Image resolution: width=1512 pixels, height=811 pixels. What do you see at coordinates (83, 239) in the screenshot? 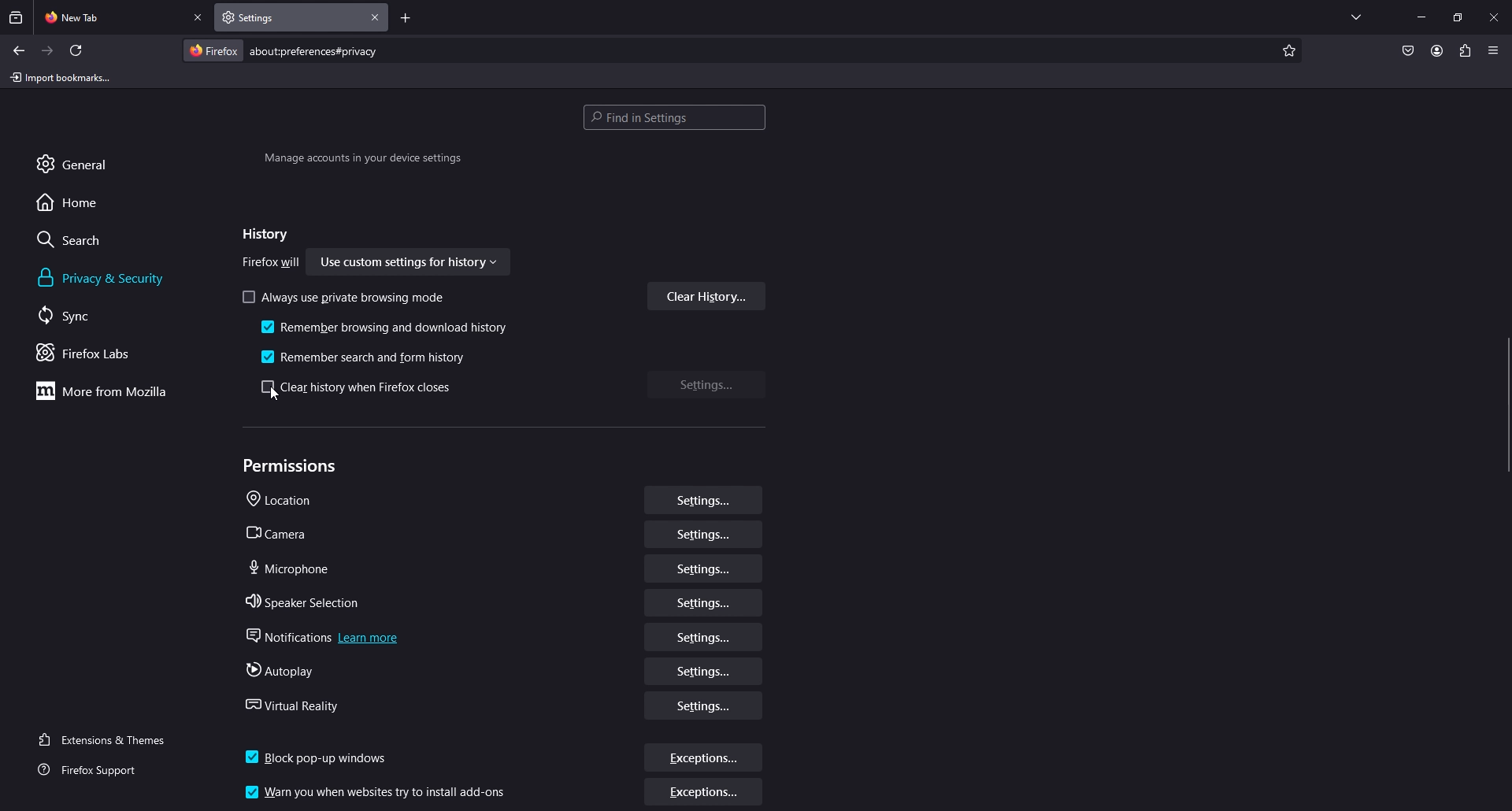
I see `search` at bounding box center [83, 239].